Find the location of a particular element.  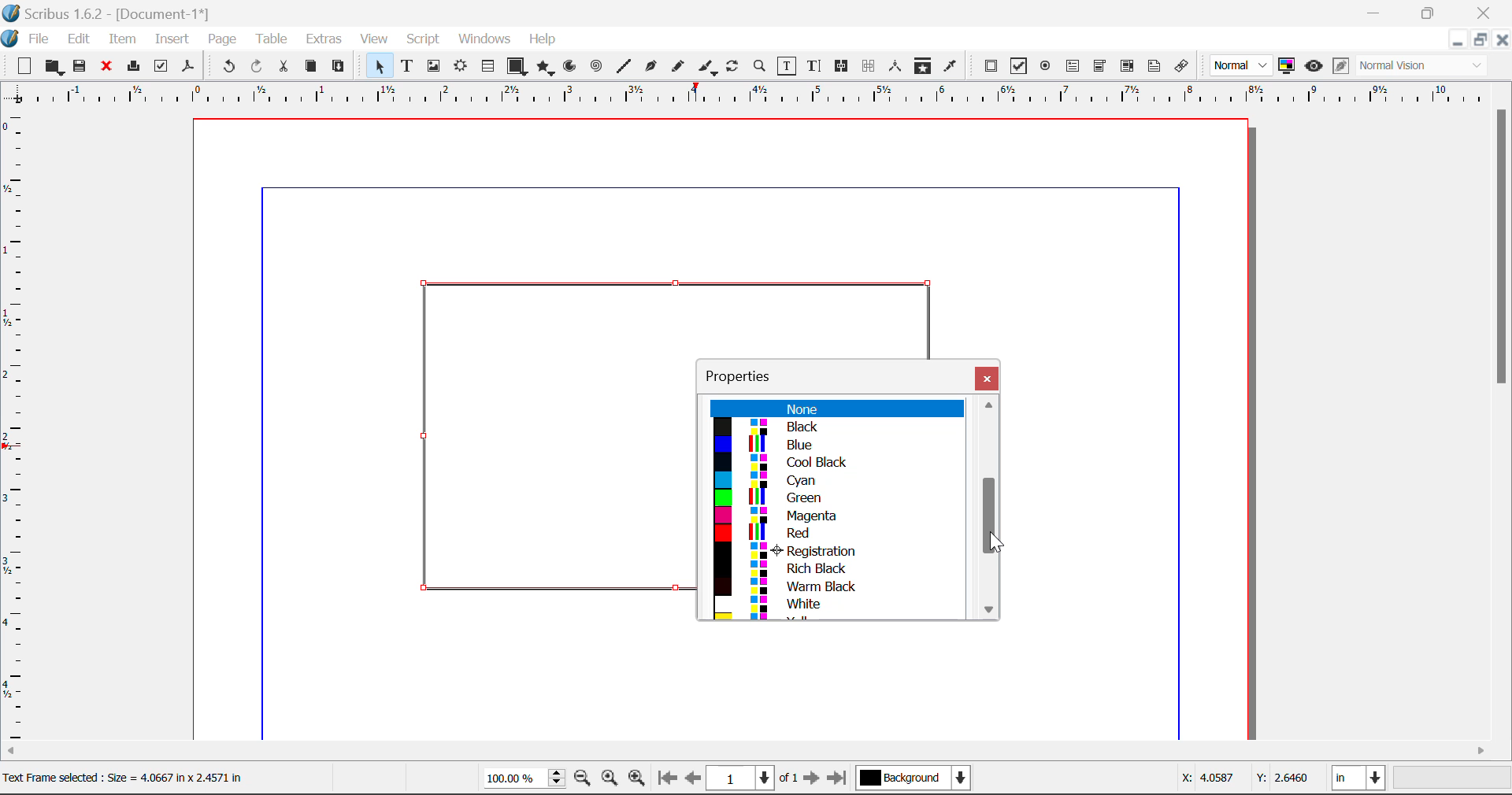

Horizontal Page Margins is located at coordinates (17, 427).